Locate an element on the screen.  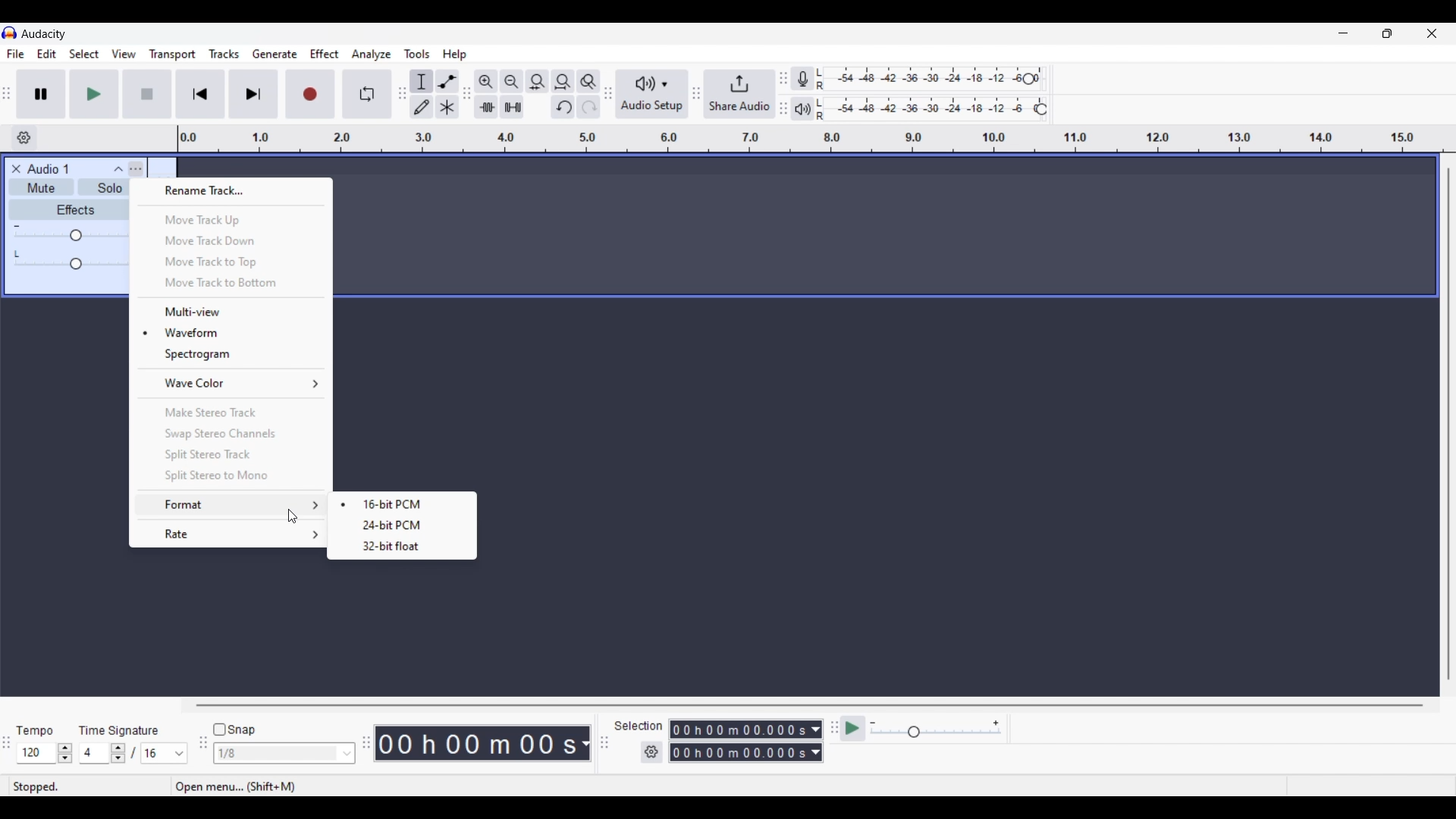
Skip to end/Select to end is located at coordinates (253, 94).